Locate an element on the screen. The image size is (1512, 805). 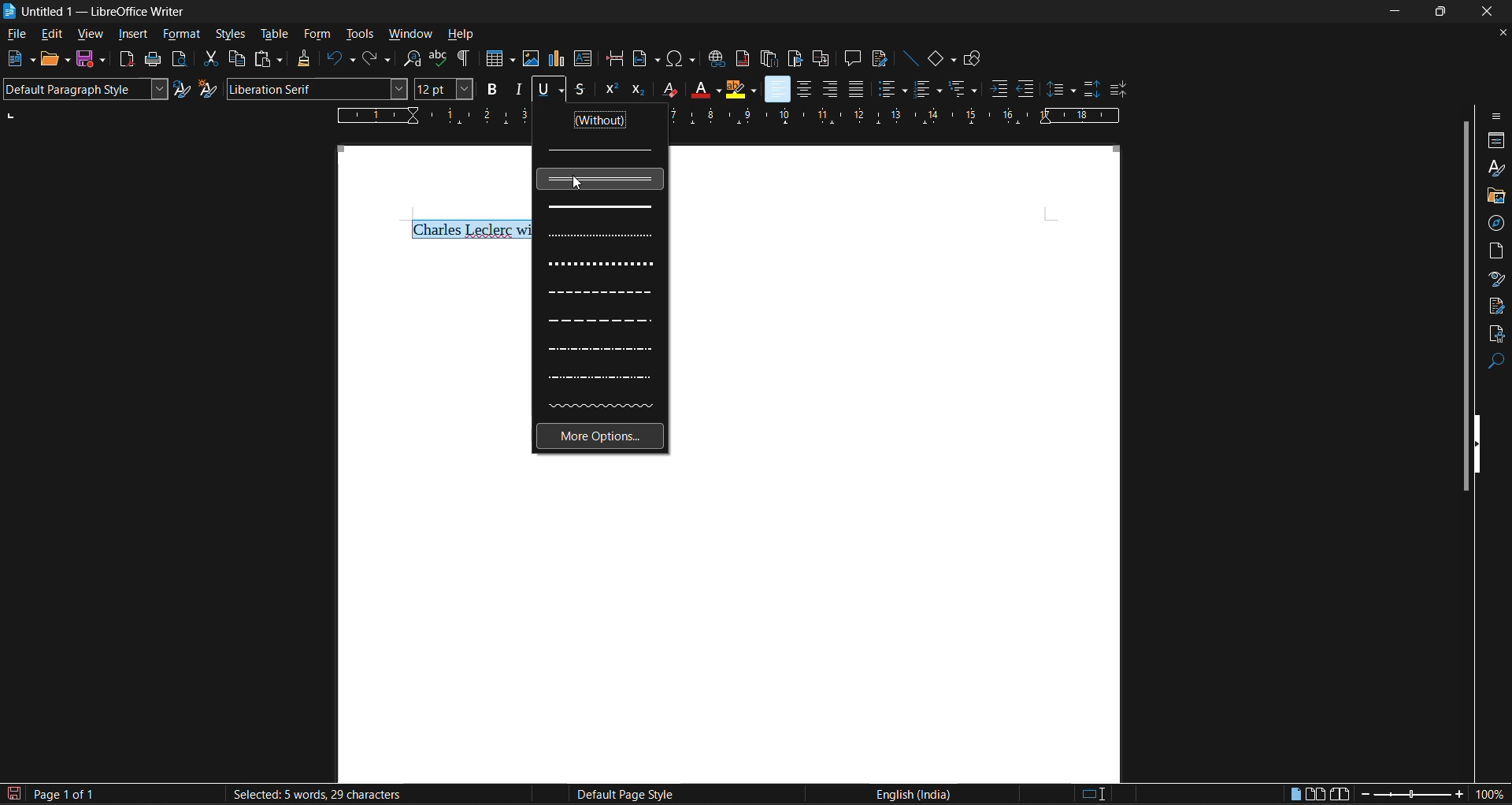
insert cross reference is located at coordinates (821, 60).